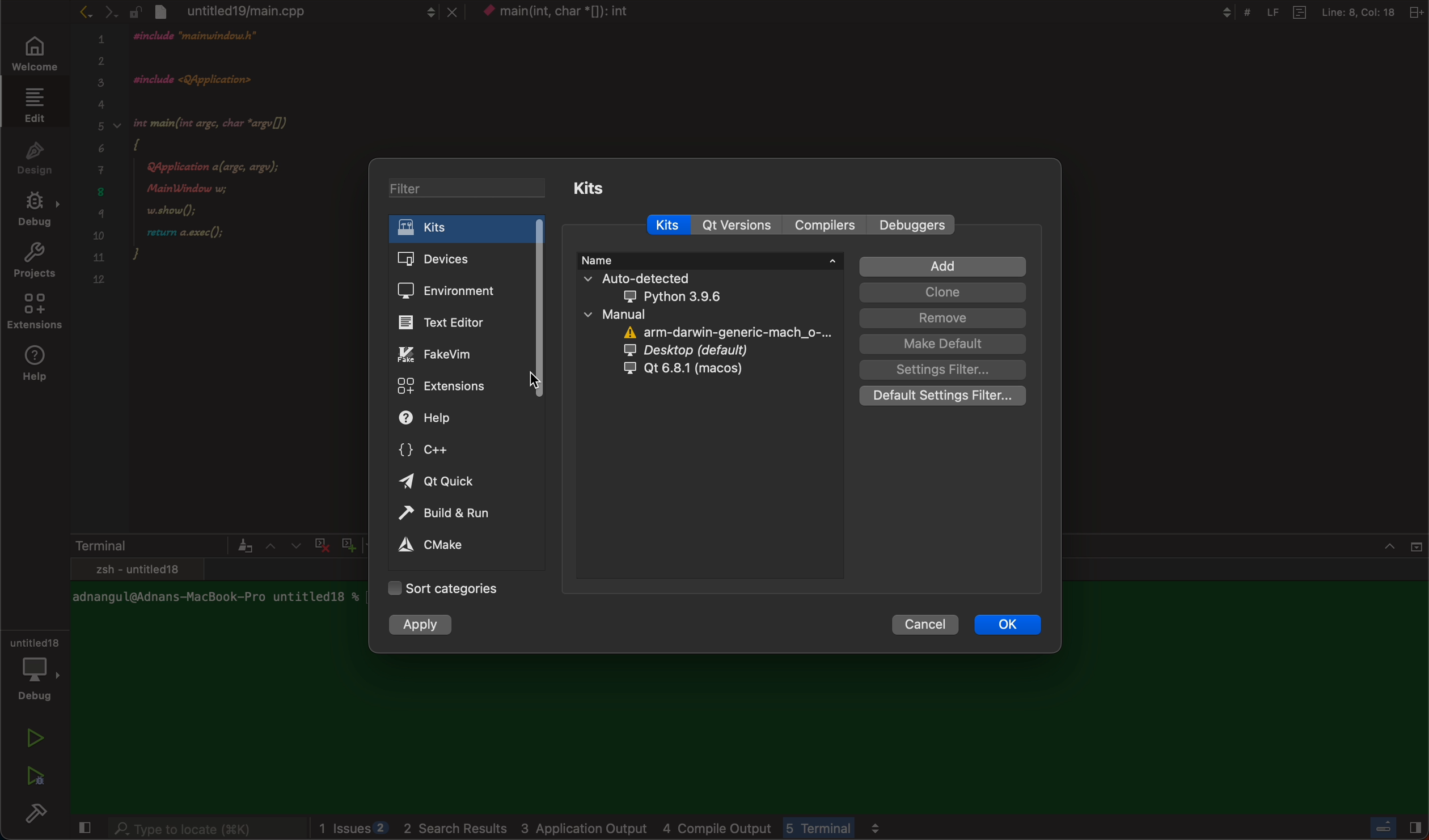  Describe the element at coordinates (467, 228) in the screenshot. I see `kits` at that location.